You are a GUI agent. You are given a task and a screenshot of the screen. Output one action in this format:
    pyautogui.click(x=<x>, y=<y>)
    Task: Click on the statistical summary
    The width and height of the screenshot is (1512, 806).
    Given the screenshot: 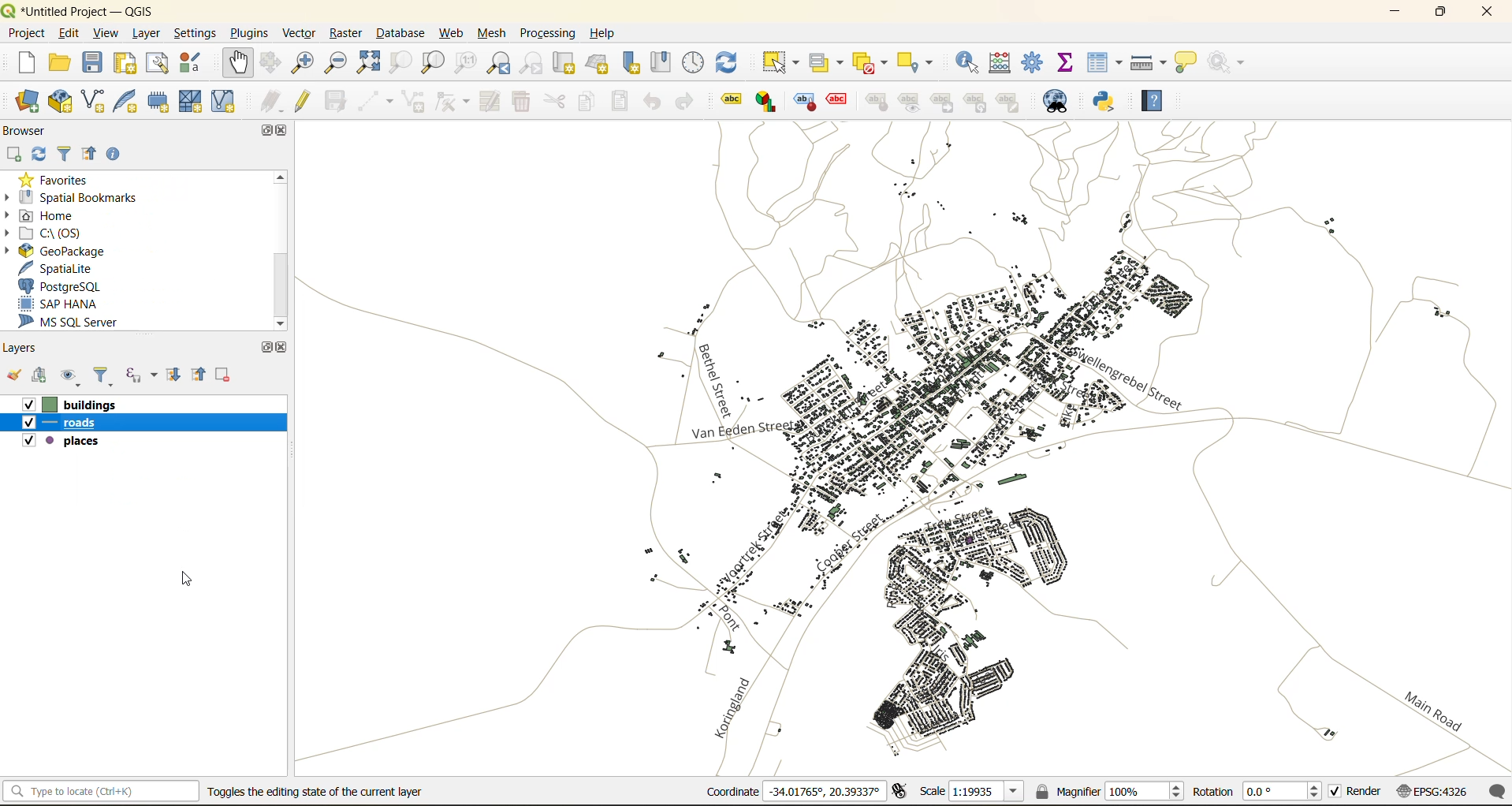 What is the action you would take?
    pyautogui.click(x=1067, y=62)
    